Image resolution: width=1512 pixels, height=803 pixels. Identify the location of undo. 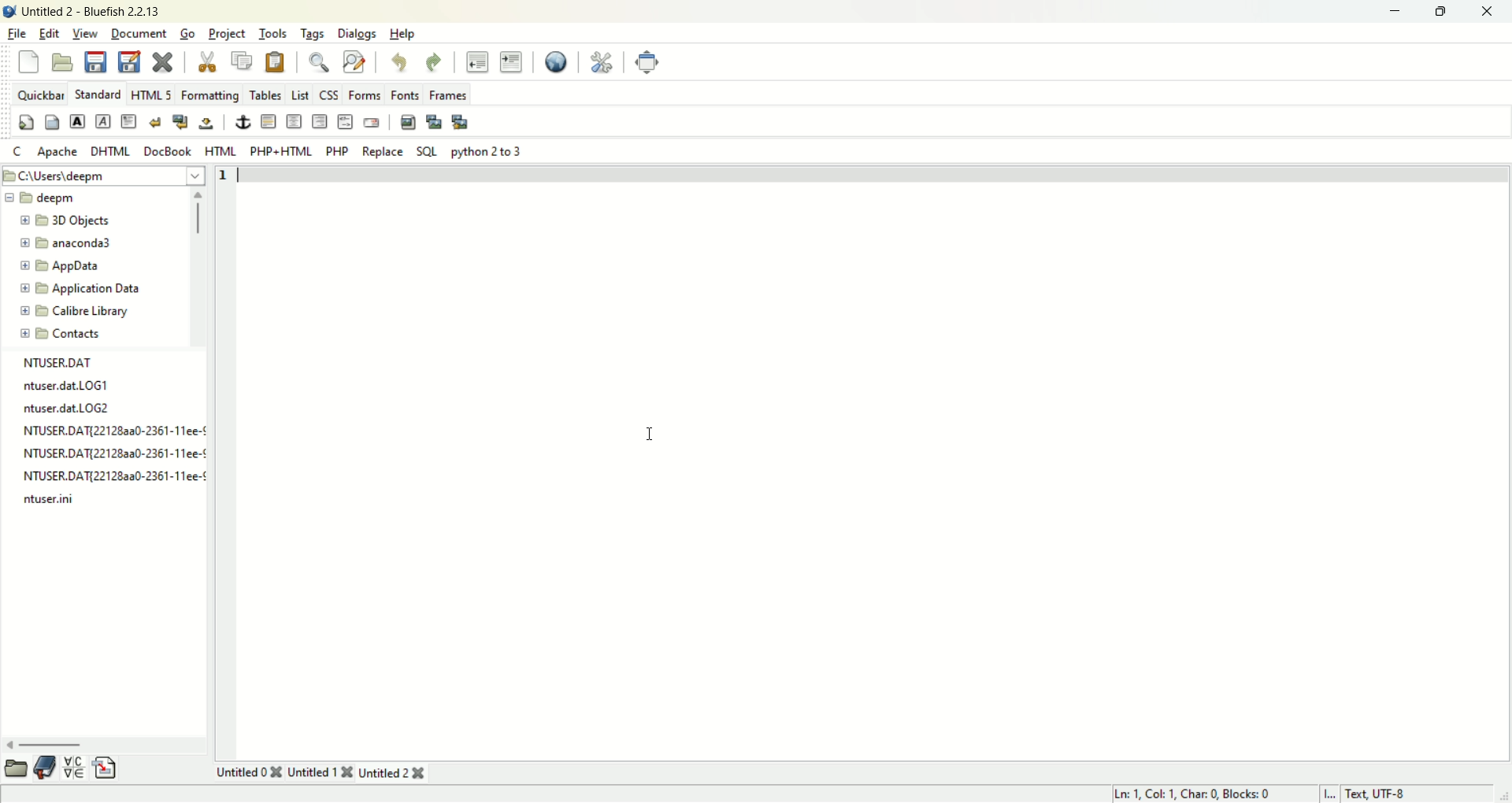
(401, 63).